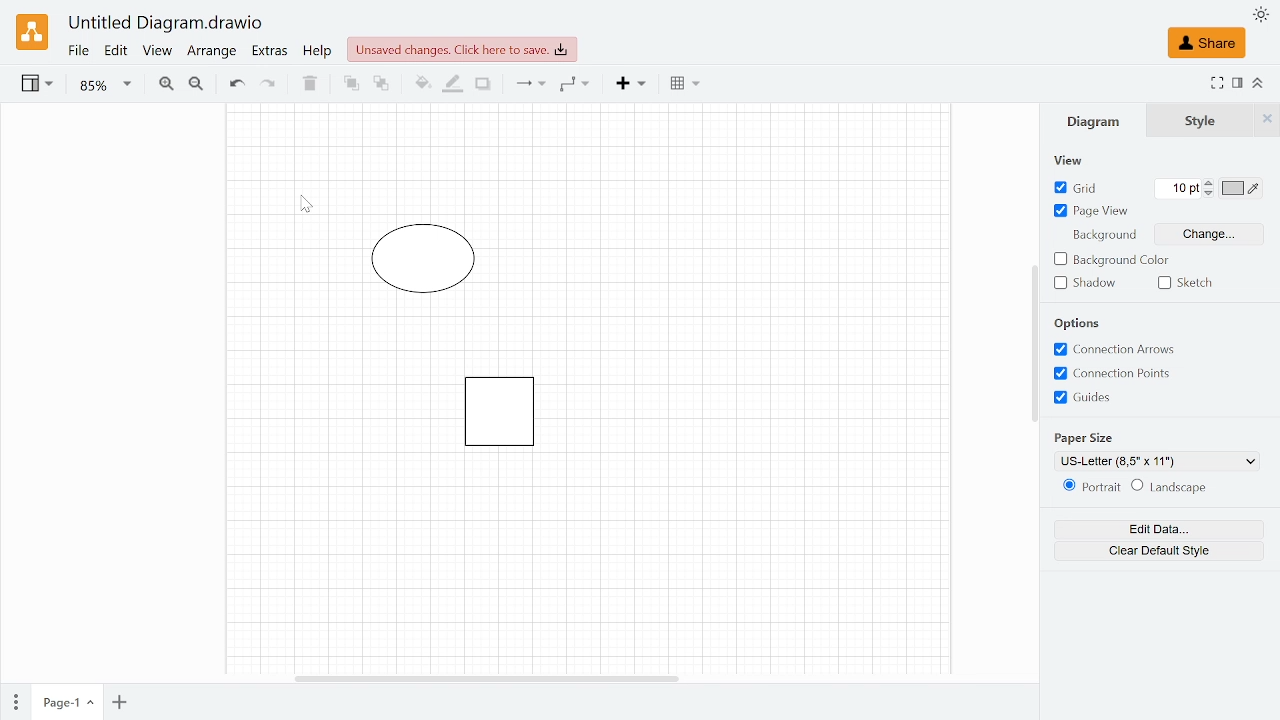 This screenshot has height=720, width=1280. What do you see at coordinates (1178, 188) in the screenshot?
I see `Grid units` at bounding box center [1178, 188].